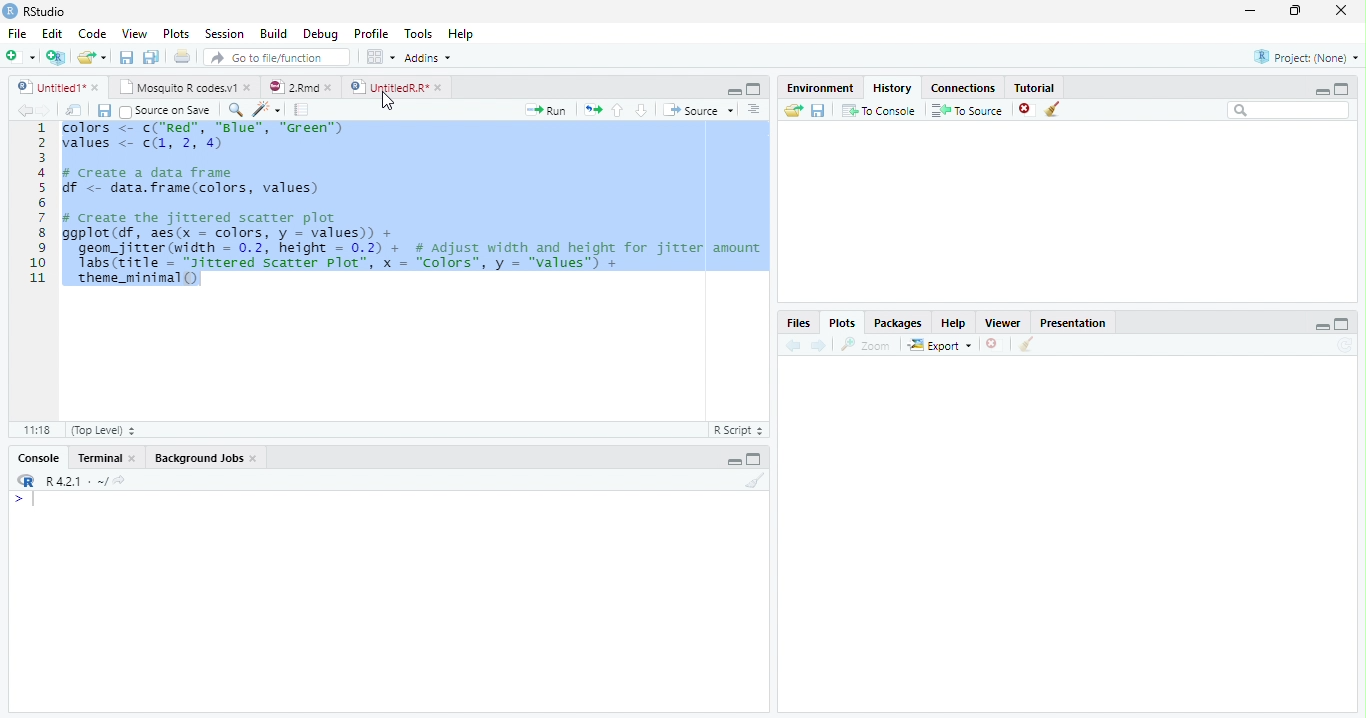 The height and width of the screenshot is (718, 1366). What do you see at coordinates (95, 88) in the screenshot?
I see `close` at bounding box center [95, 88].